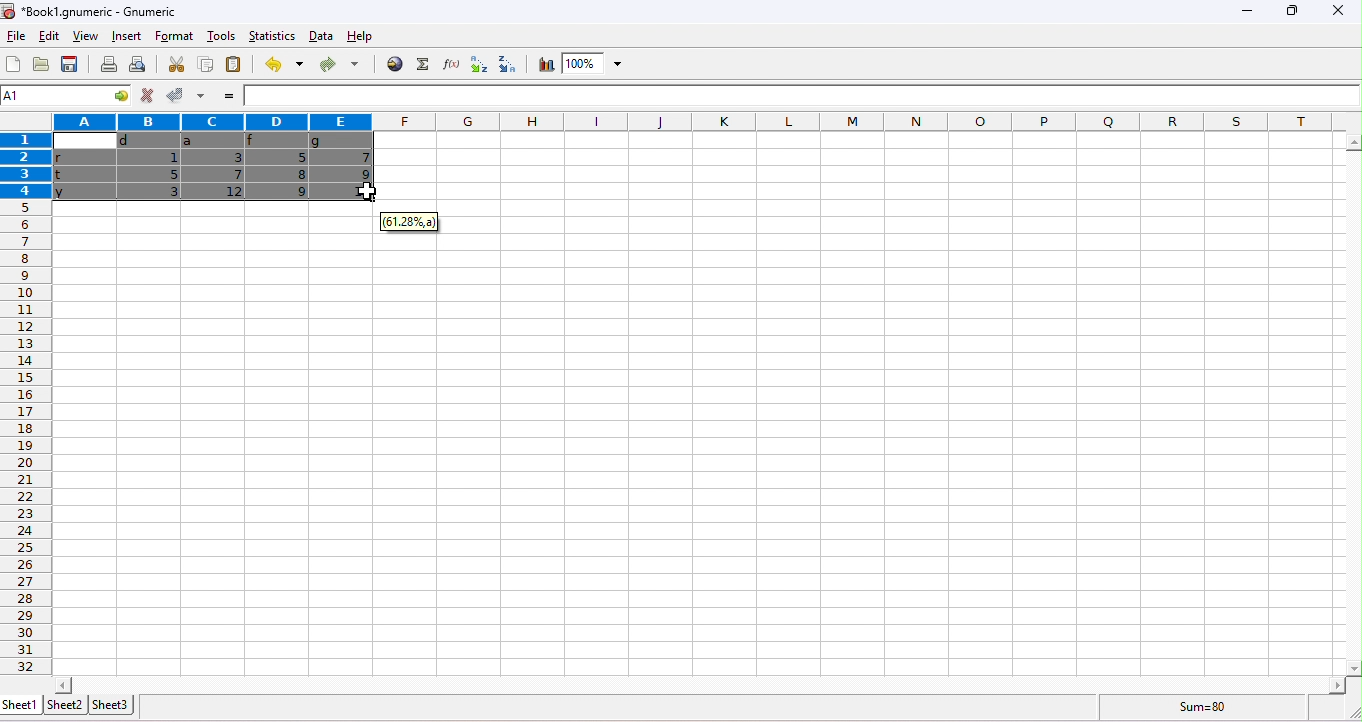  Describe the element at coordinates (1205, 708) in the screenshot. I see `sum=80` at that location.